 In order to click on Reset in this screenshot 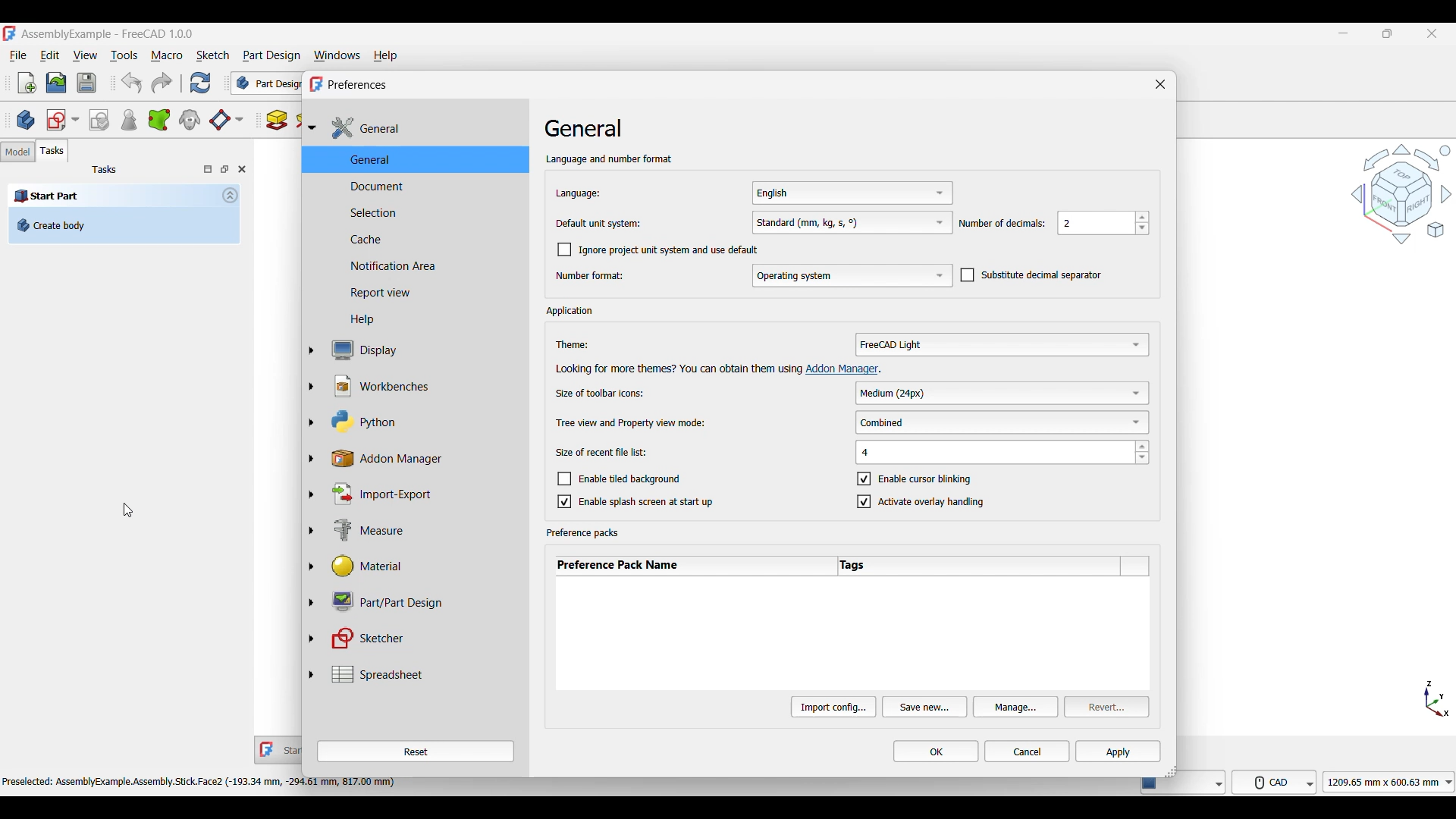, I will do `click(415, 752)`.